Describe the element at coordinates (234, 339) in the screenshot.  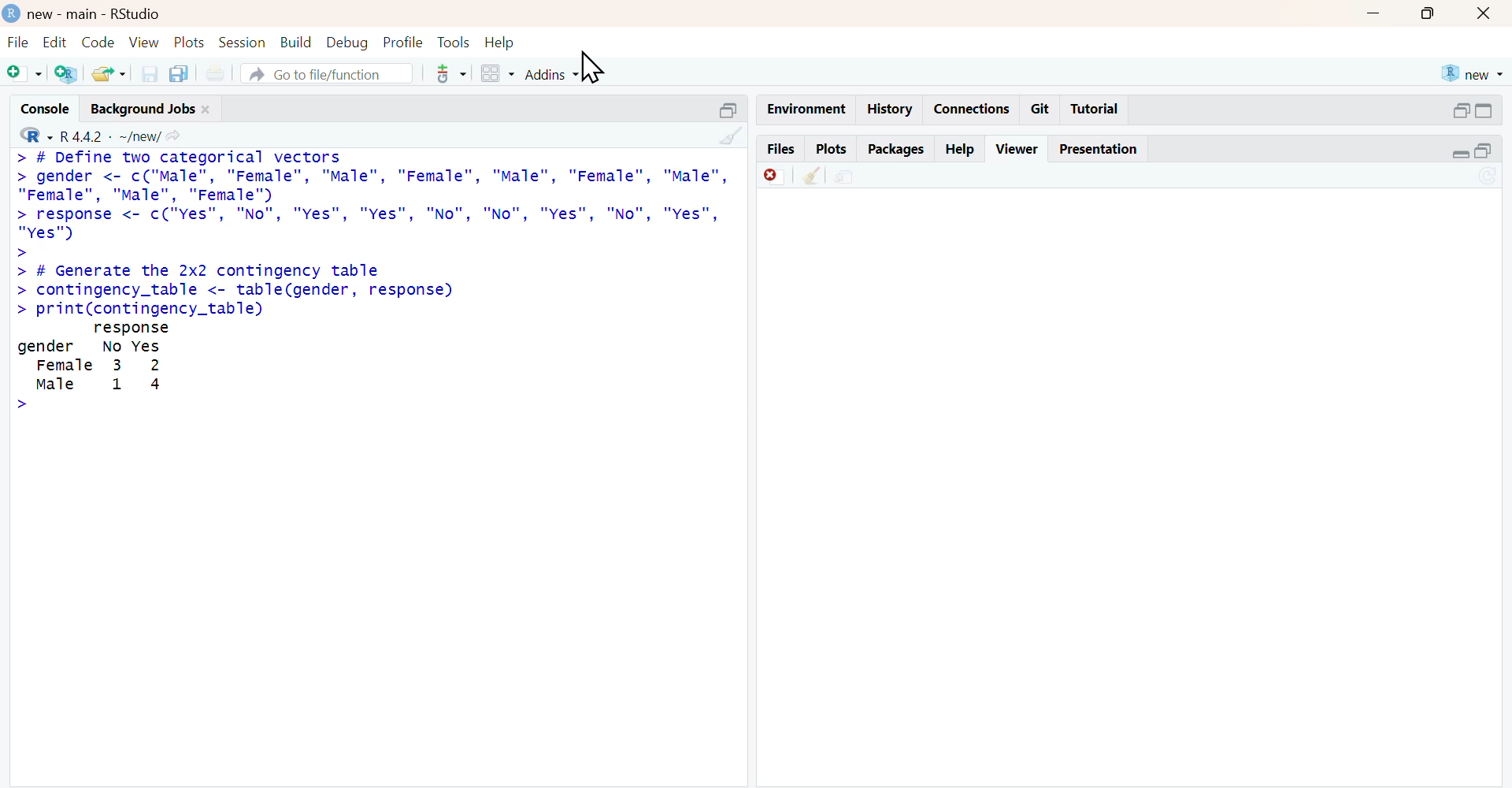
I see `> # Generate the 2x2 contingency table
> contingency_table <- table(gender, response)
> print(contingency_table)
response

gender No Yes

Female 3 2

Male 1 4
>` at that location.